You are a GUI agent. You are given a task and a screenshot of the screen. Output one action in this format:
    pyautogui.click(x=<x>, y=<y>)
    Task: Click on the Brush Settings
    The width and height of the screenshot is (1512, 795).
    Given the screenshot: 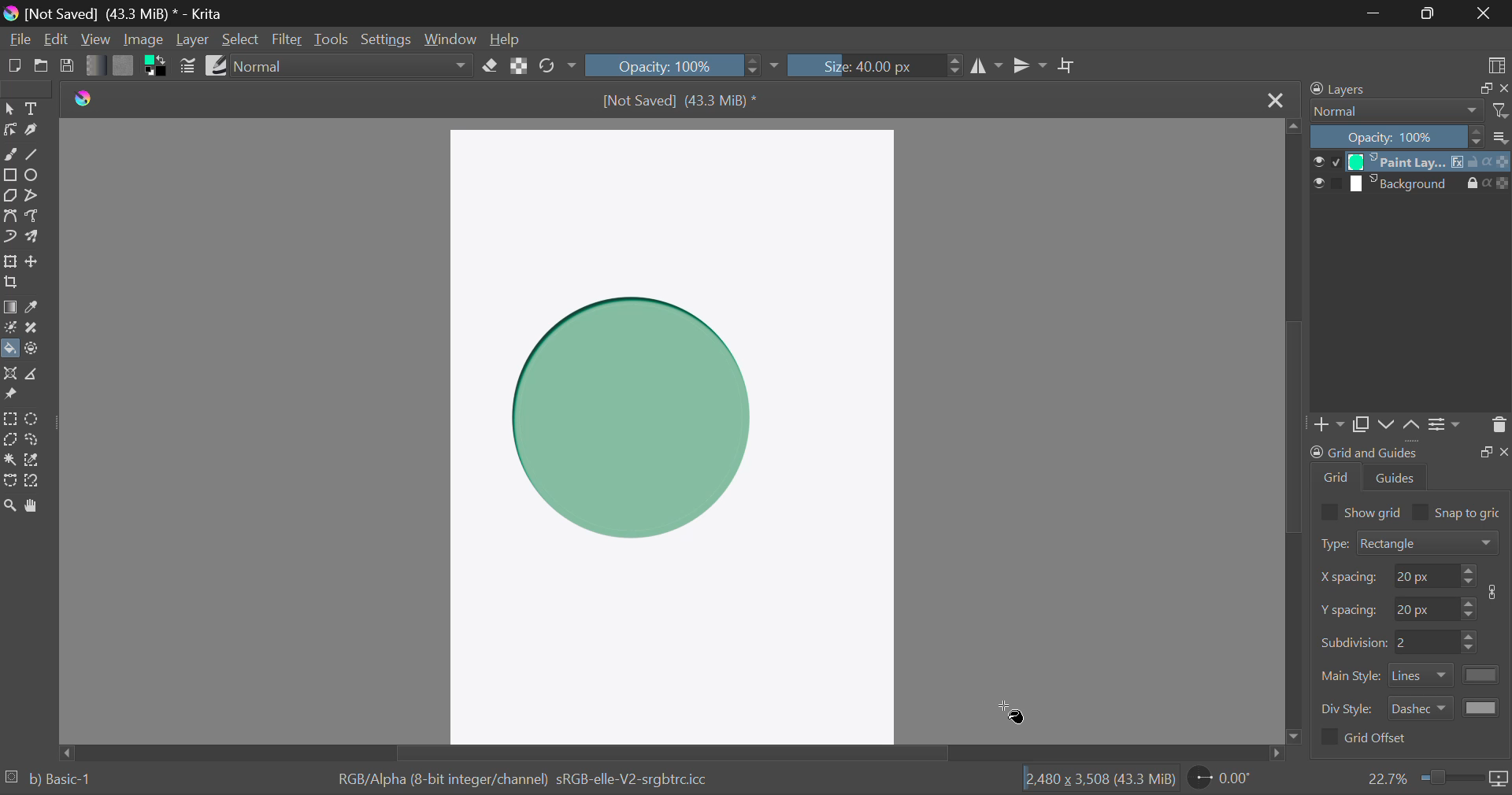 What is the action you would take?
    pyautogui.click(x=187, y=66)
    